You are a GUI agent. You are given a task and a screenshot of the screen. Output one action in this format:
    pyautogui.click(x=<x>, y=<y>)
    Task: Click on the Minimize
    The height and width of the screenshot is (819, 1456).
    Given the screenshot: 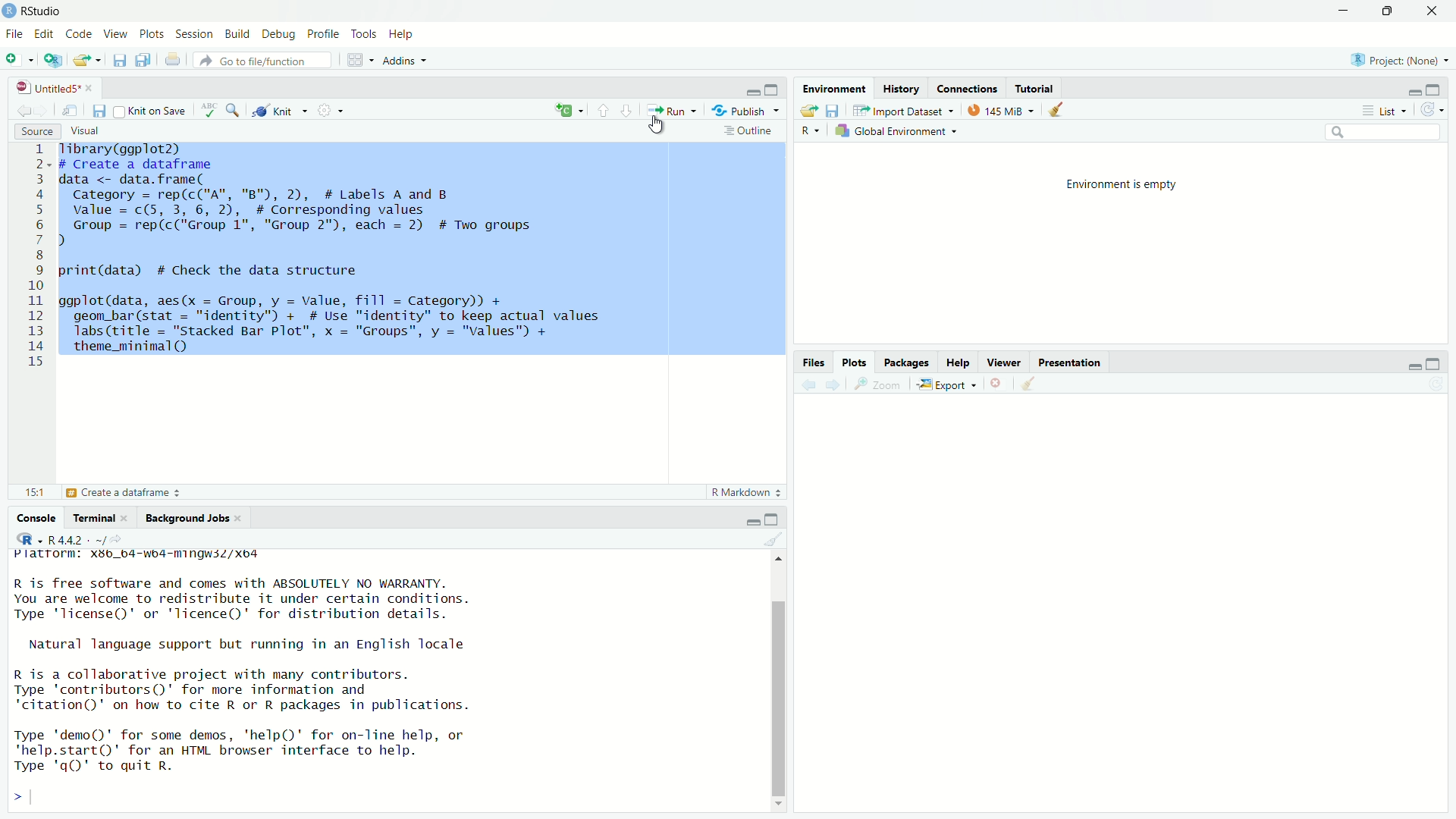 What is the action you would take?
    pyautogui.click(x=749, y=522)
    